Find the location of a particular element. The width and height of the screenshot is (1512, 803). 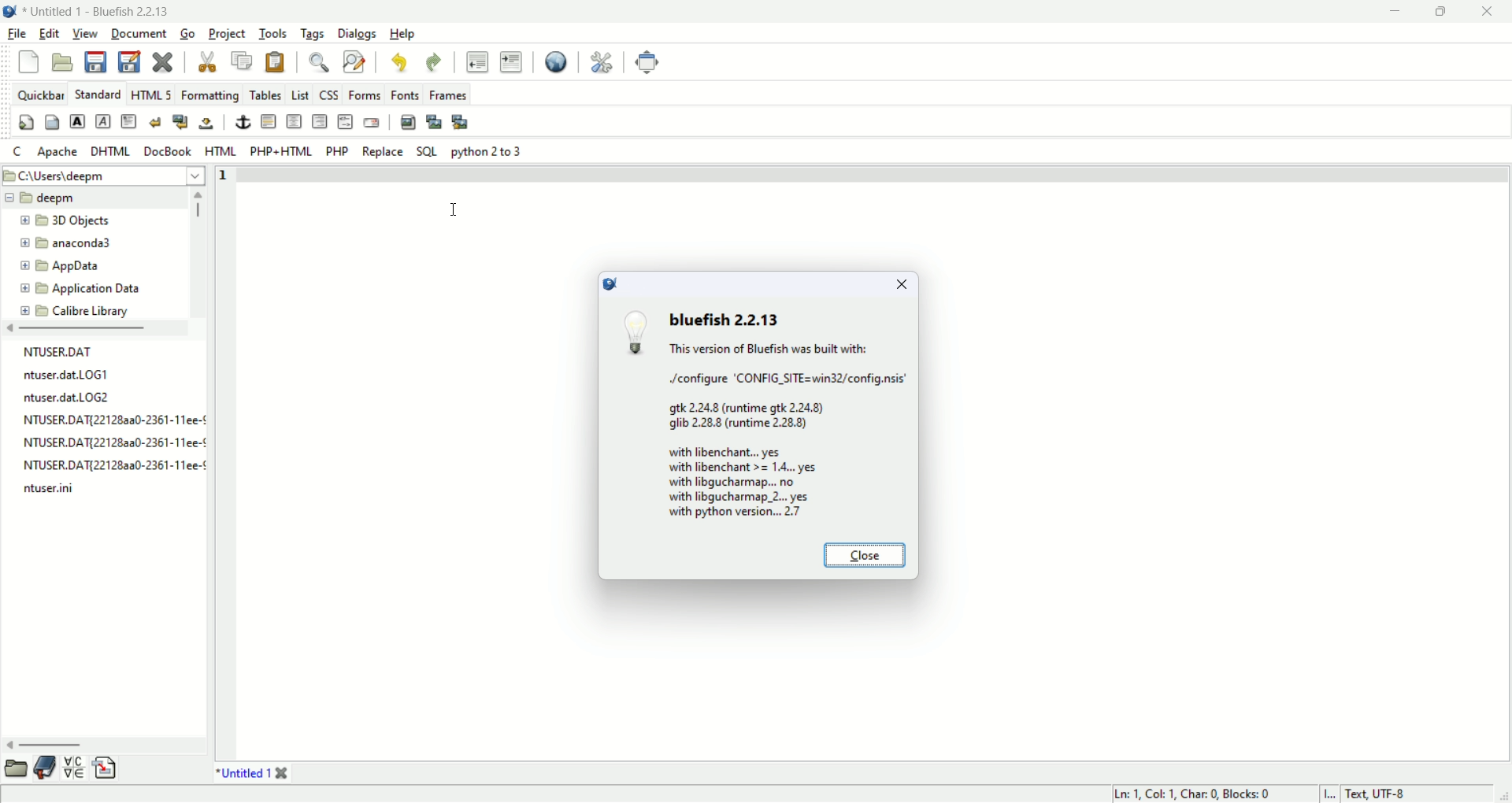

file name is located at coordinates (112, 419).